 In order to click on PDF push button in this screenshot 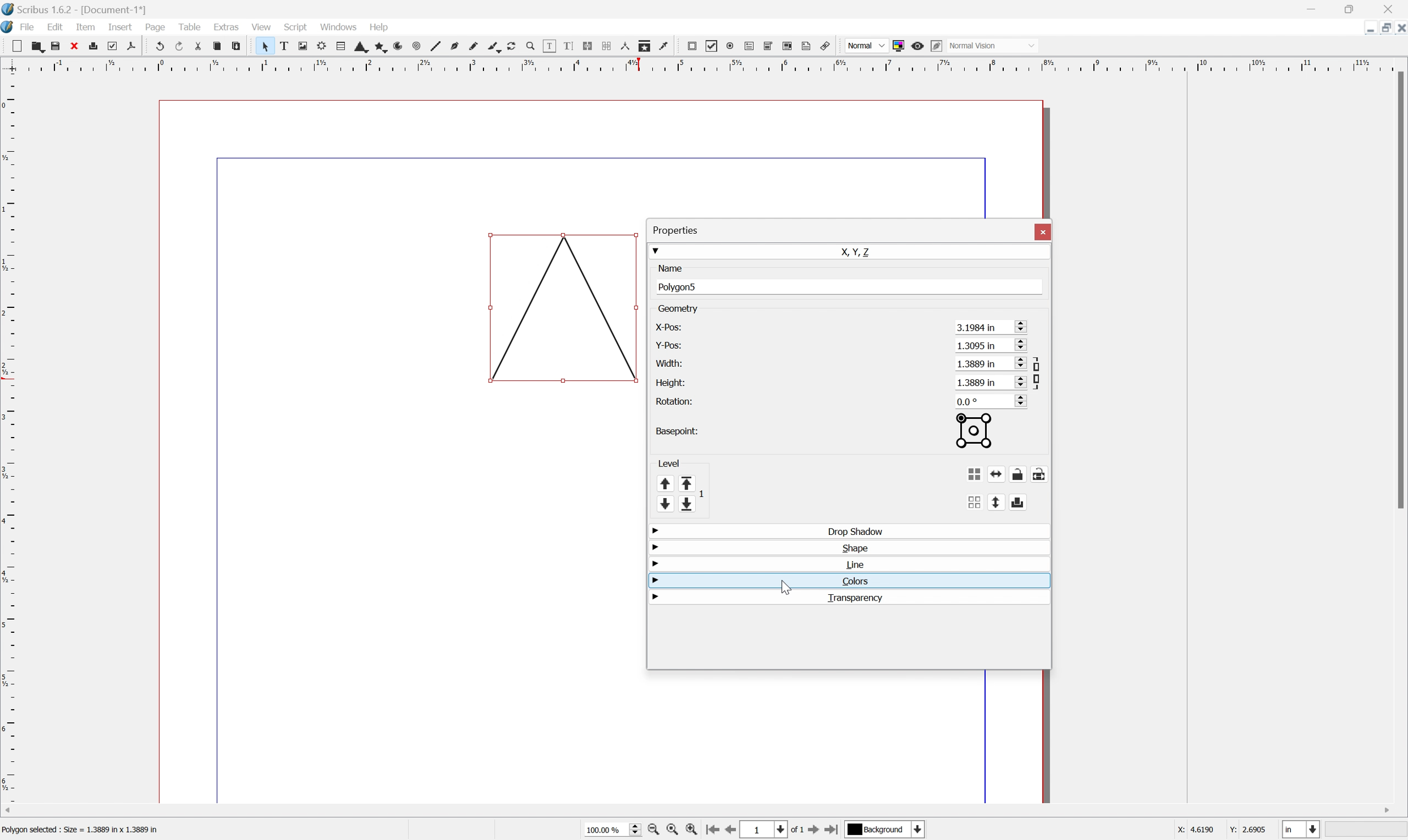, I will do `click(691, 47)`.